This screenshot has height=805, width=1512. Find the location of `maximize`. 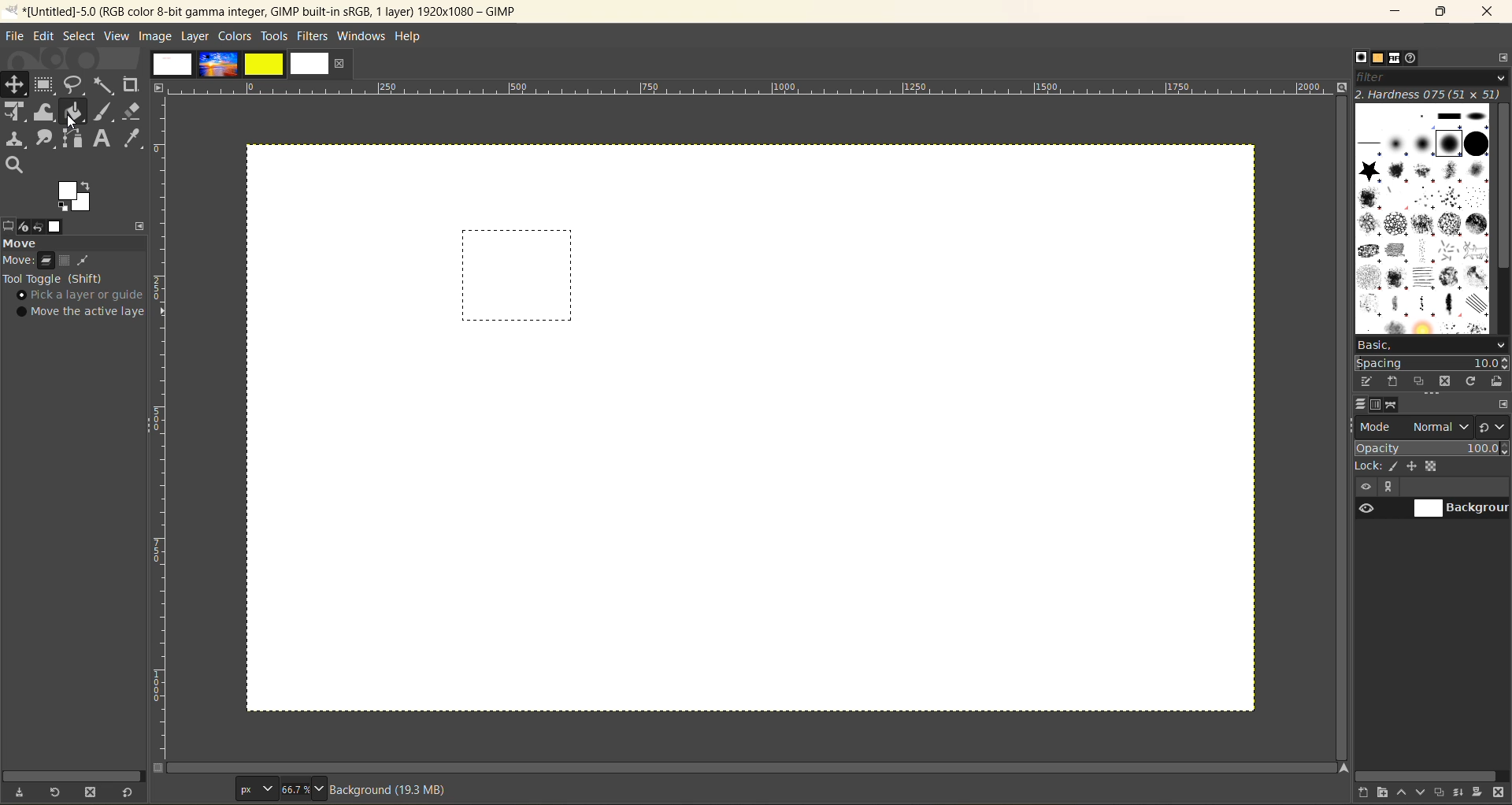

maximize is located at coordinates (1441, 14).